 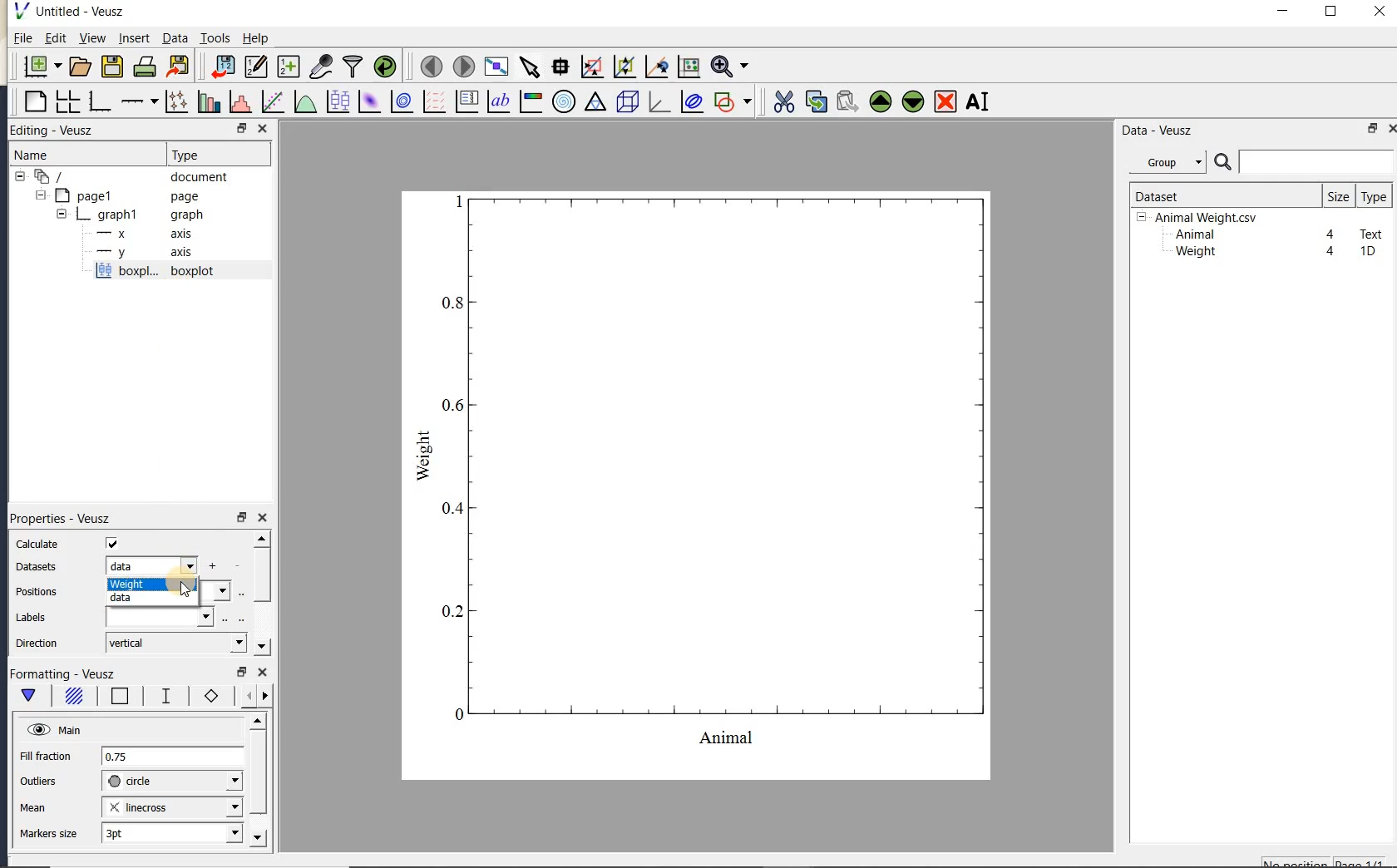 What do you see at coordinates (154, 600) in the screenshot?
I see `data` at bounding box center [154, 600].